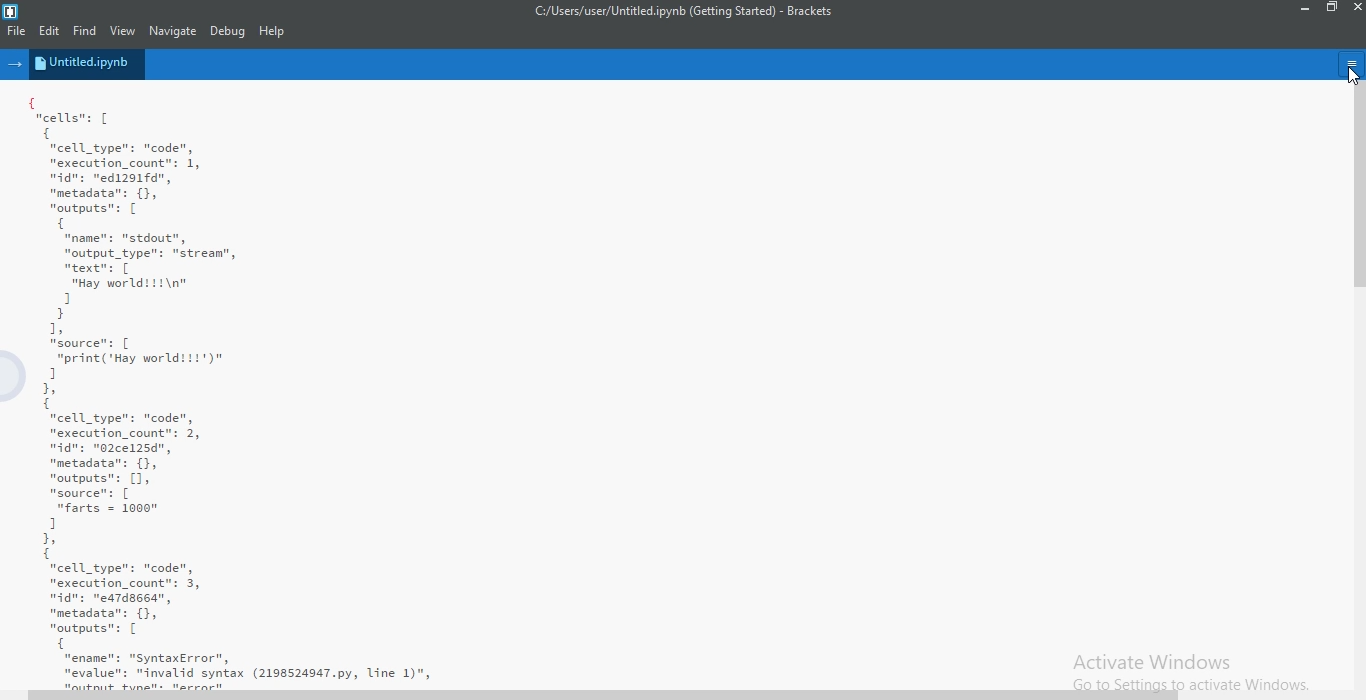  What do you see at coordinates (1357, 199) in the screenshot?
I see `scroll bar` at bounding box center [1357, 199].